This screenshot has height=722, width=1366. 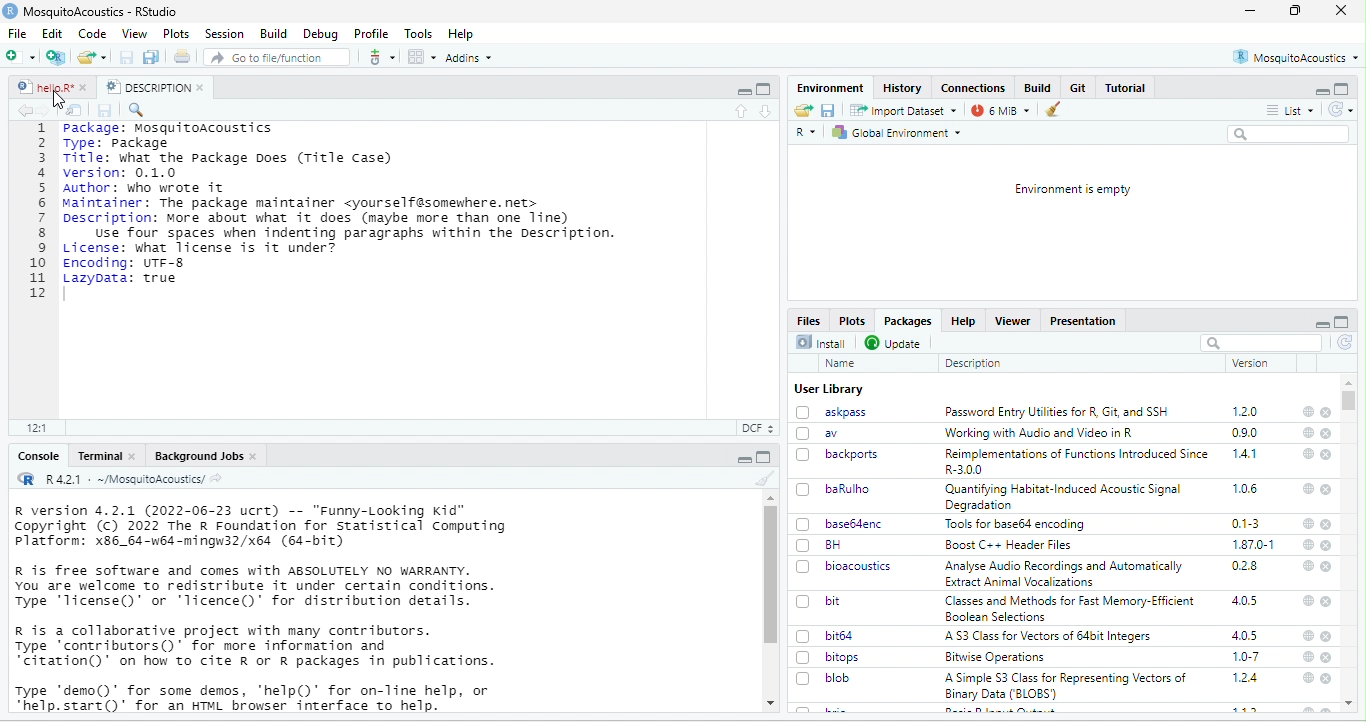 I want to click on File, so click(x=21, y=33).